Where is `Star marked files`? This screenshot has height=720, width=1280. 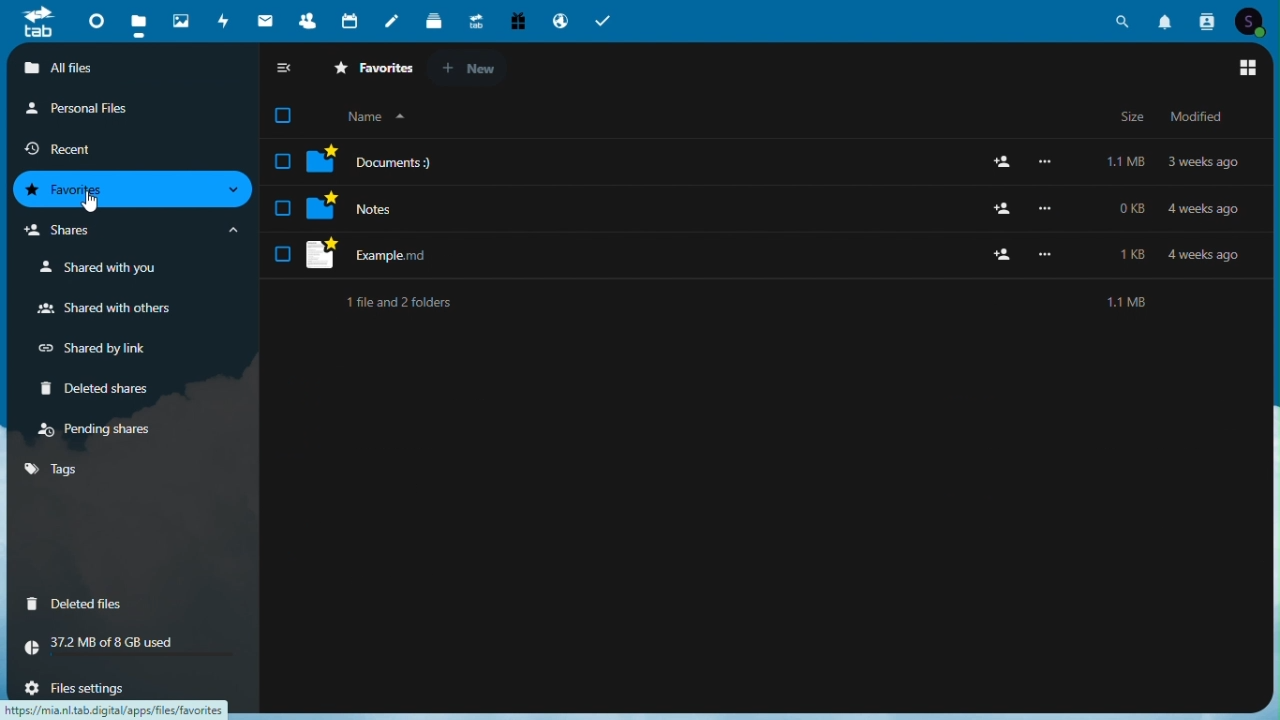 Star marked files is located at coordinates (765, 228).